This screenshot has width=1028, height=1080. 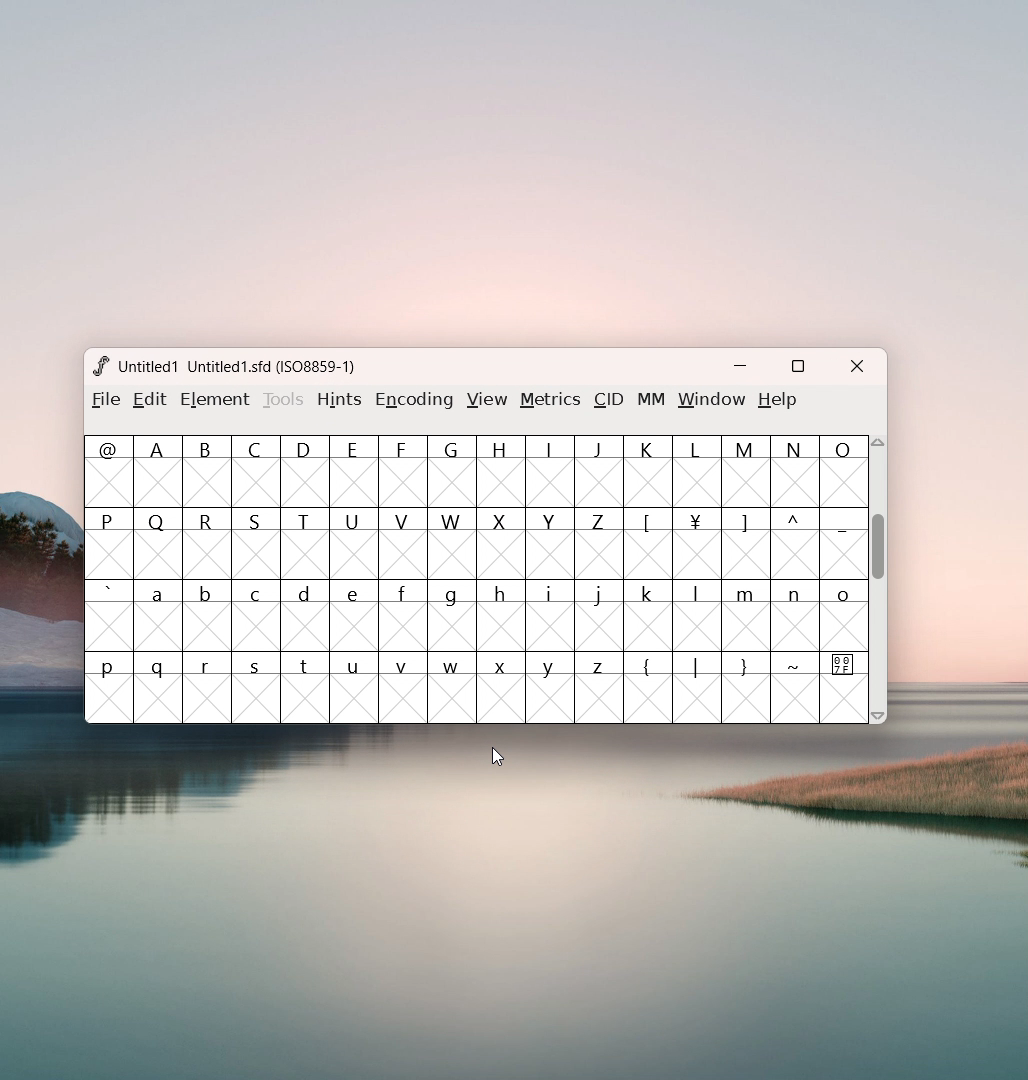 What do you see at coordinates (208, 687) in the screenshot?
I see `r` at bounding box center [208, 687].